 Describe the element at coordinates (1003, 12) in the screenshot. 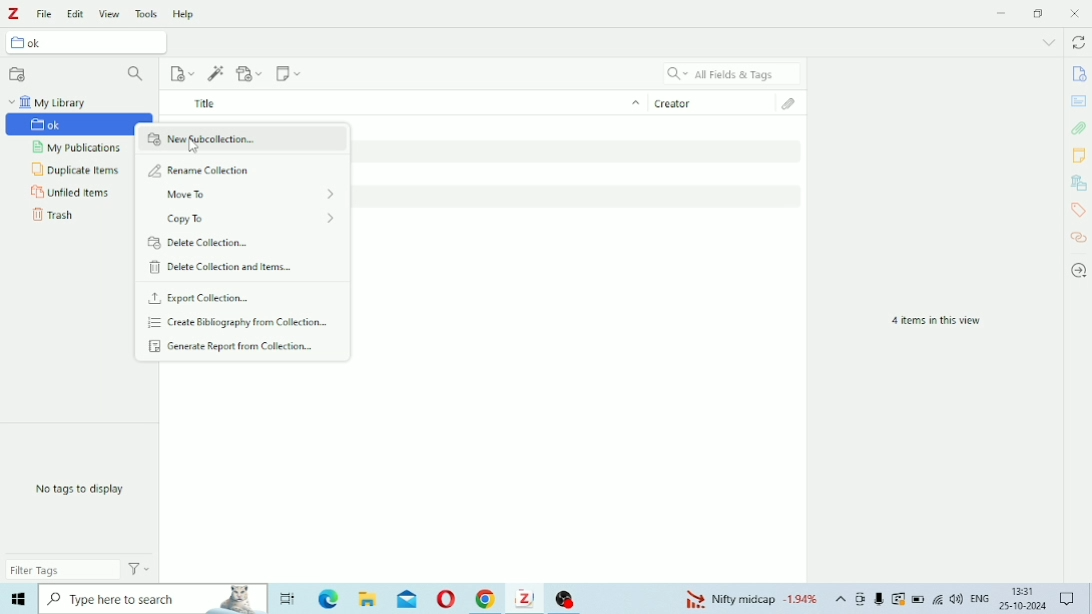

I see `Minimize` at that location.